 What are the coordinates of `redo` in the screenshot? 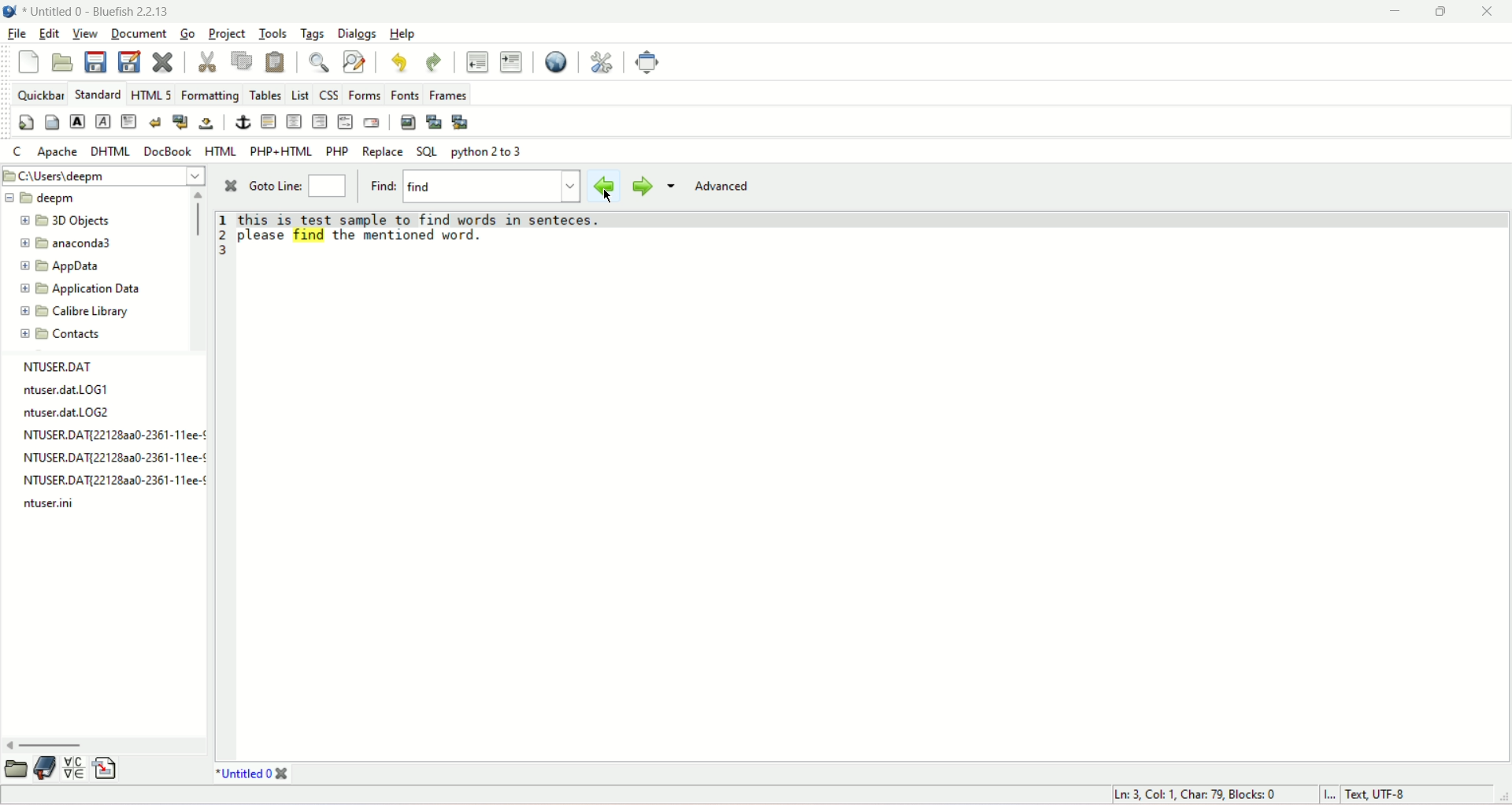 It's located at (435, 61).